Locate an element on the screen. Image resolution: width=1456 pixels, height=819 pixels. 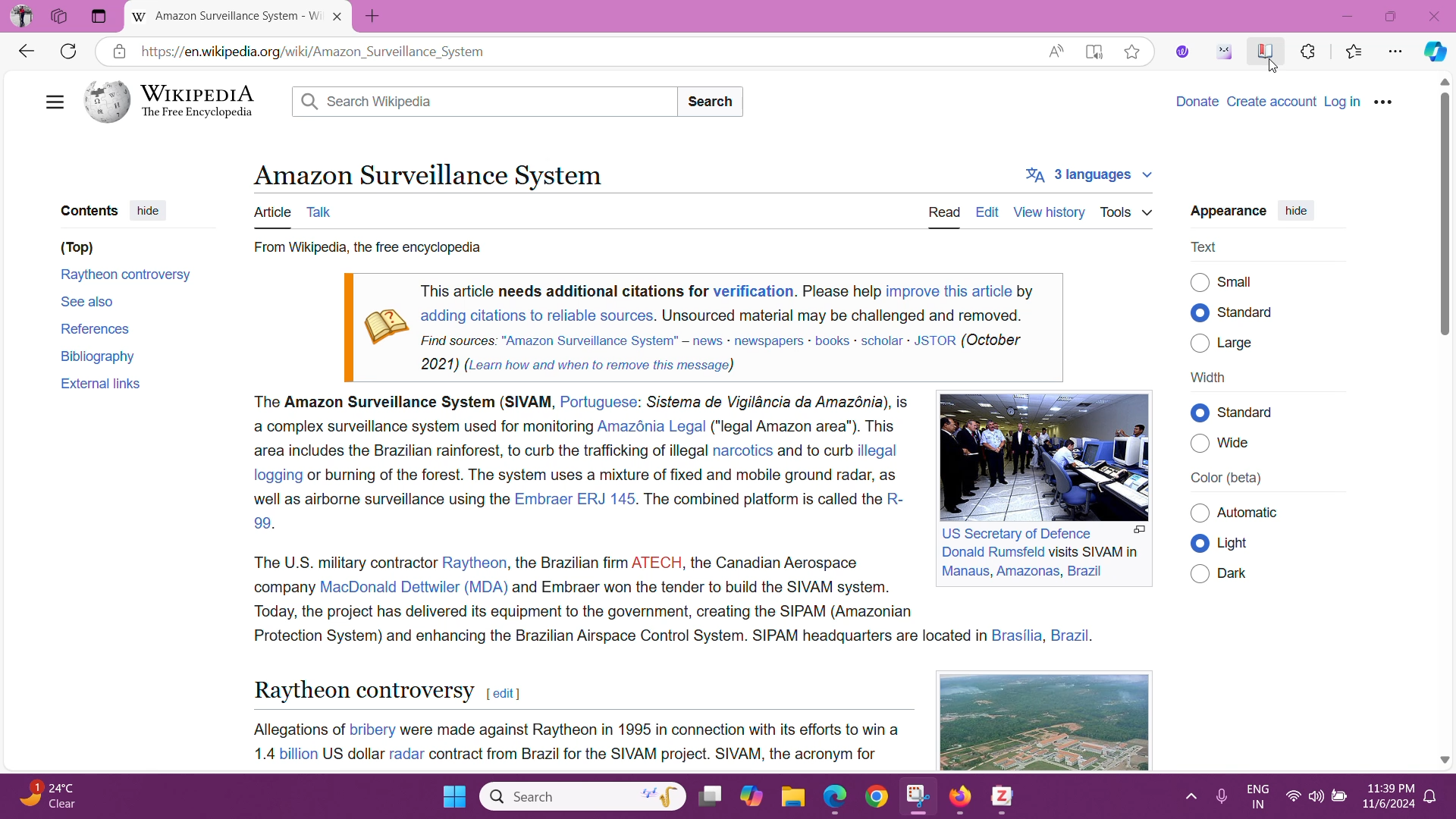
notifications is located at coordinates (1430, 797).